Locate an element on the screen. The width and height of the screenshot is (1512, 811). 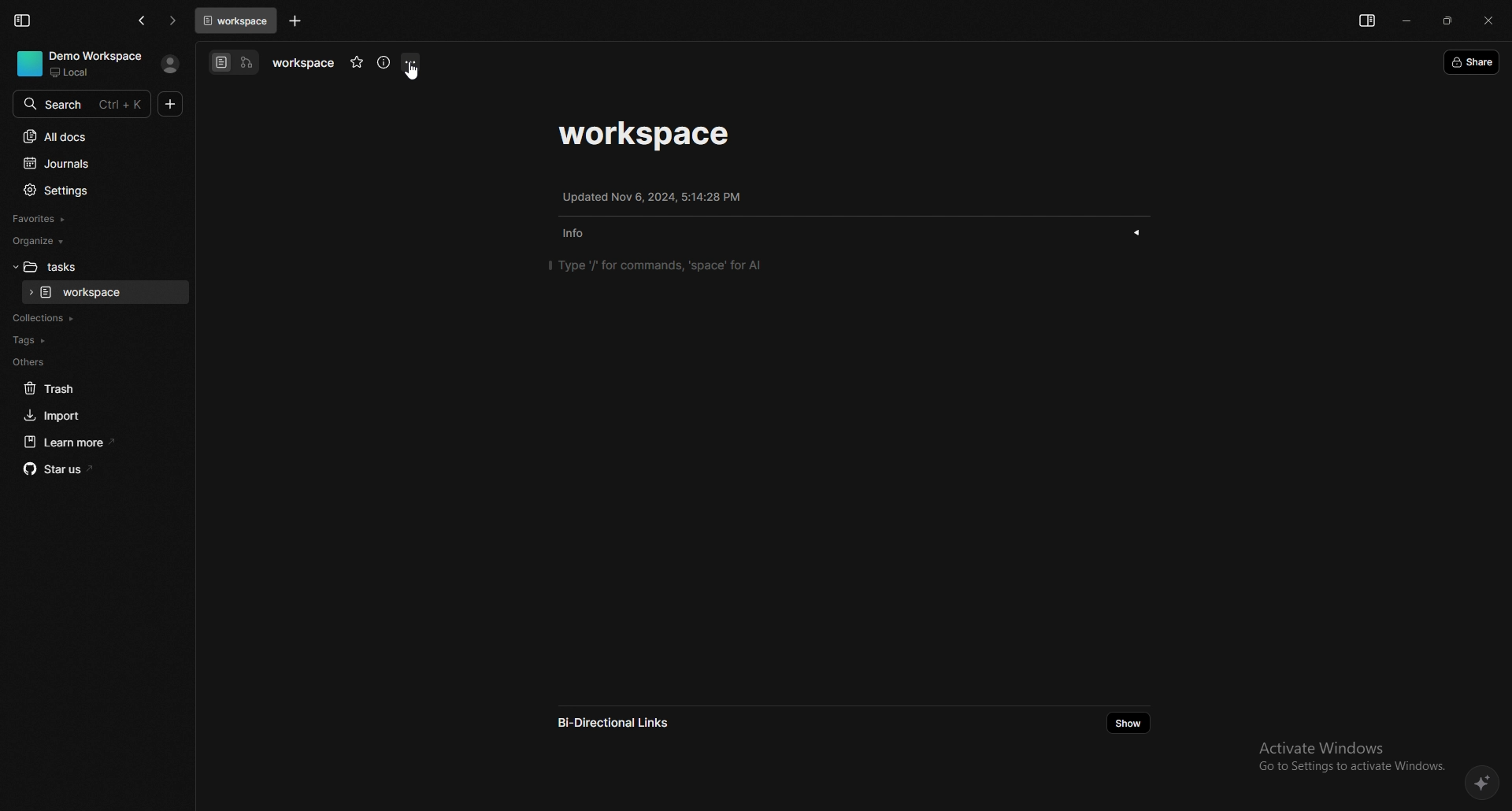
info is located at coordinates (580, 235).